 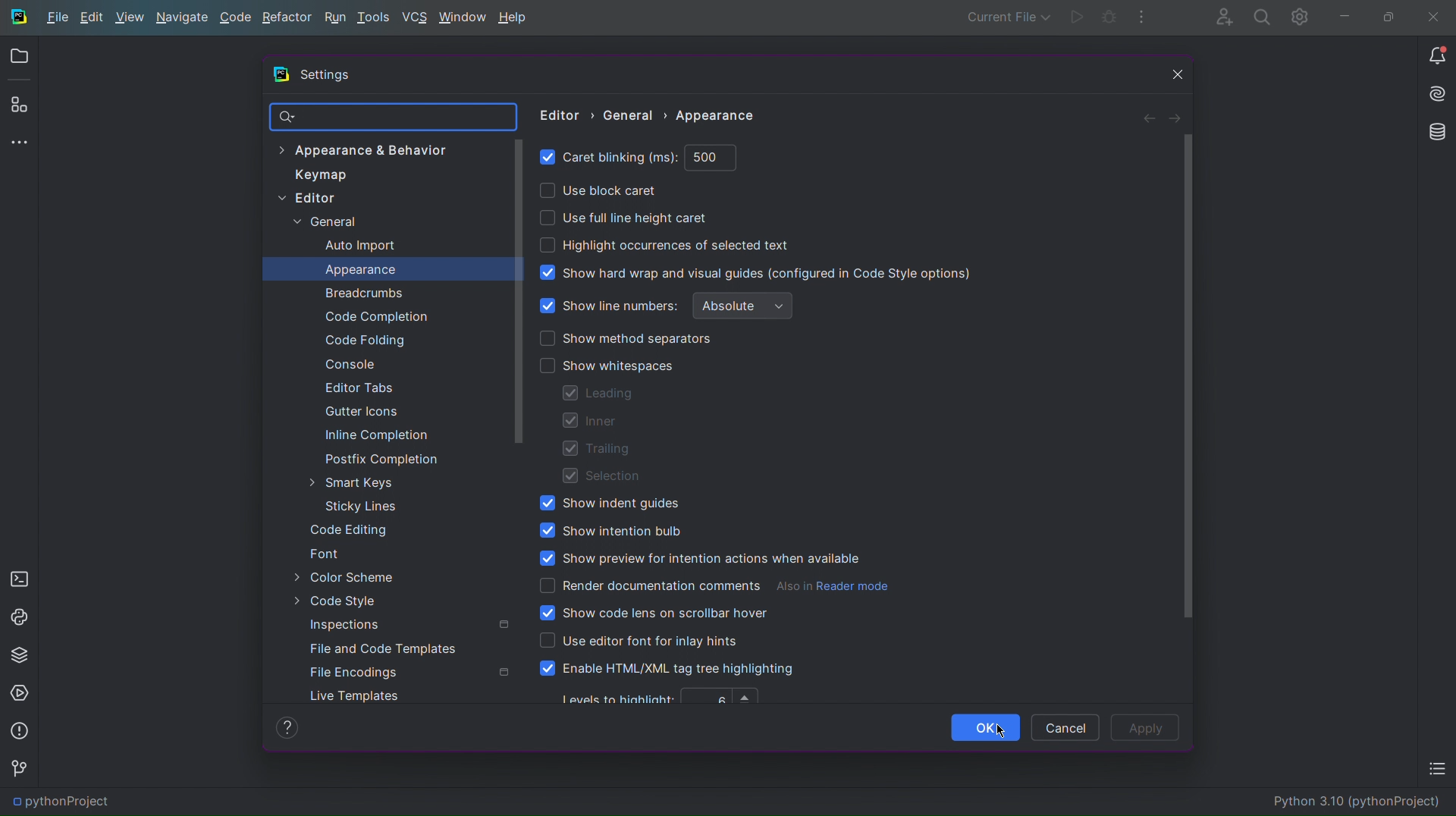 I want to click on Python Console, so click(x=20, y=615).